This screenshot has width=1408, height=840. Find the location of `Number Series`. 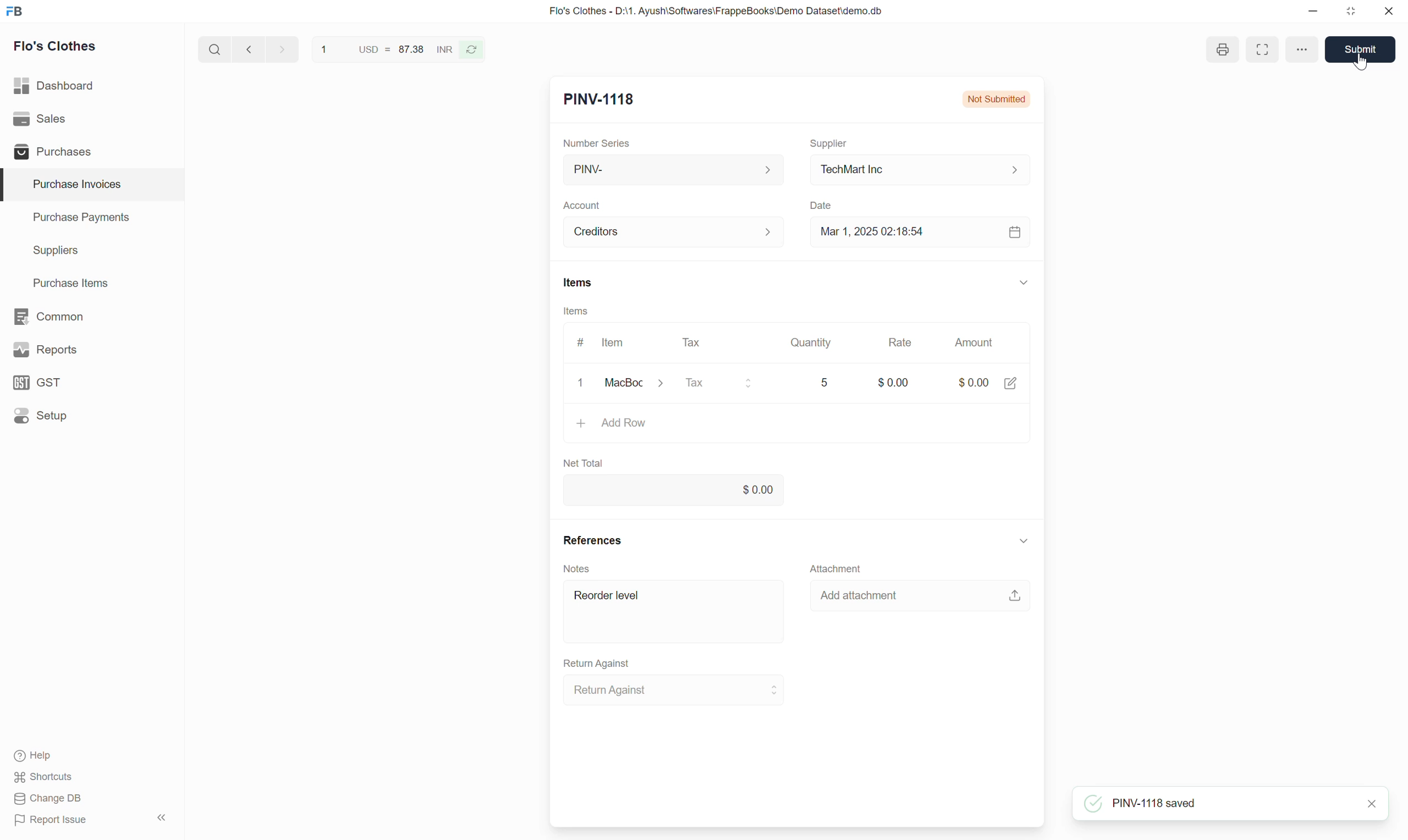

Number Series is located at coordinates (597, 143).